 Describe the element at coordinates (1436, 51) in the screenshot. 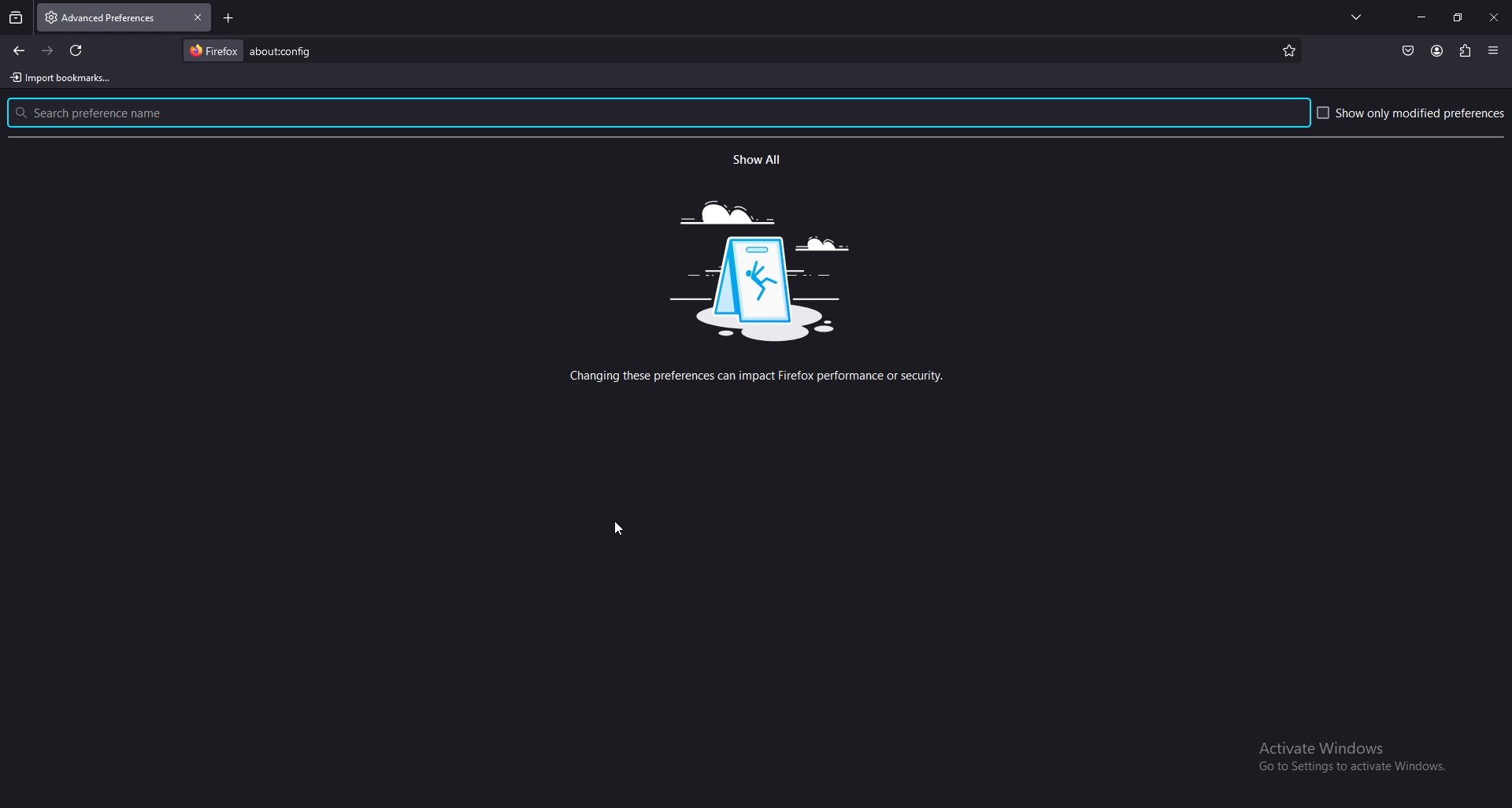

I see `profile` at that location.